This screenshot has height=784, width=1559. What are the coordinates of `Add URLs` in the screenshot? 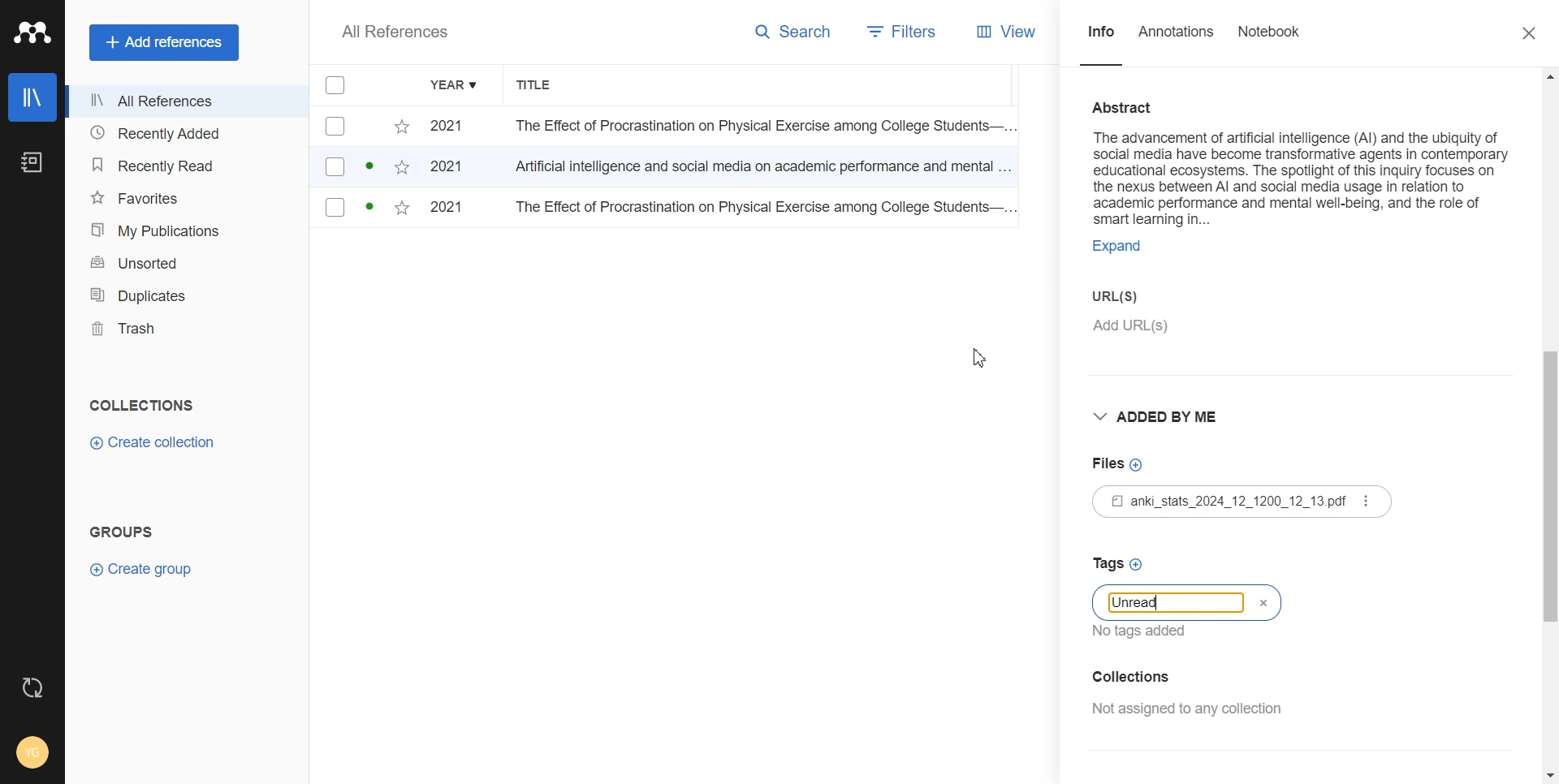 It's located at (1219, 334).